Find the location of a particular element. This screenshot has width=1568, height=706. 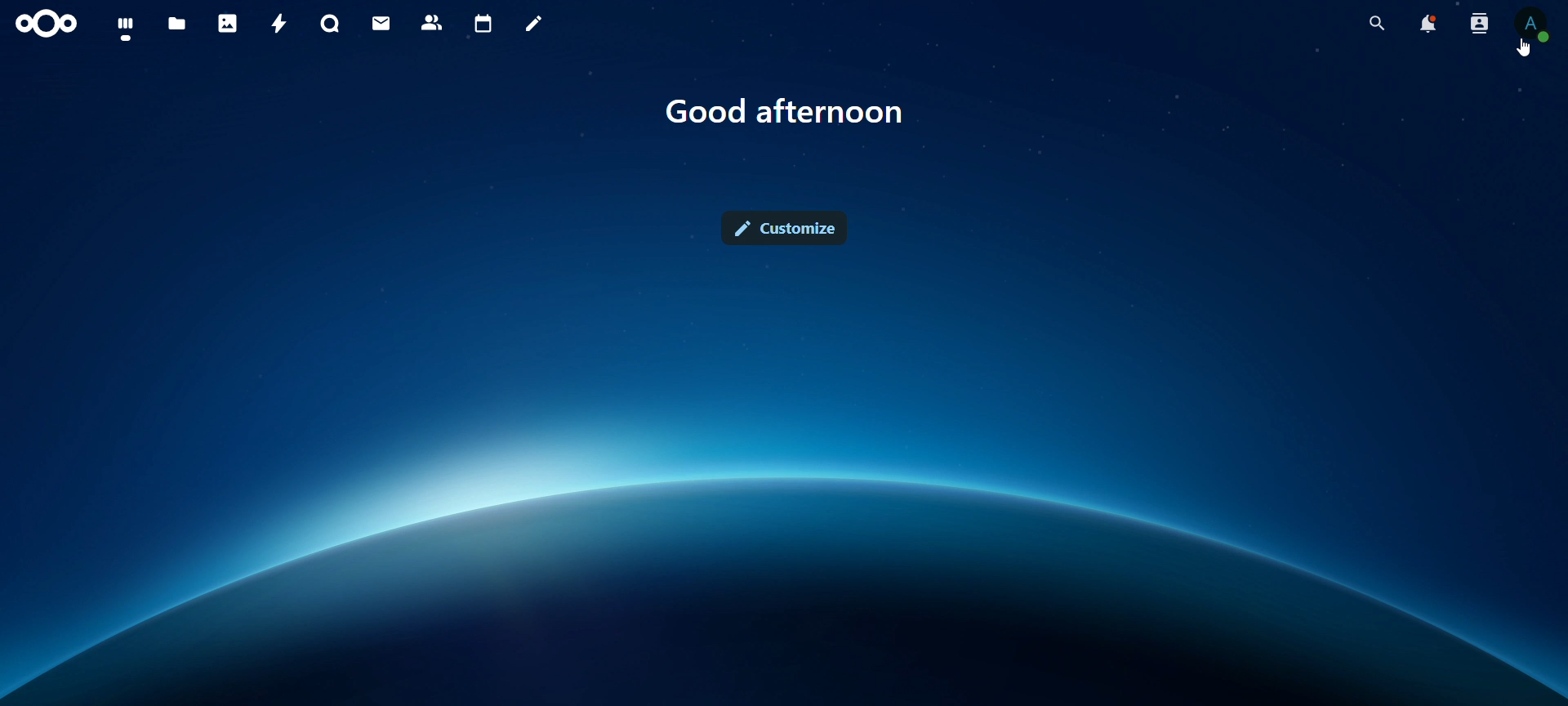

talk is located at coordinates (329, 22).